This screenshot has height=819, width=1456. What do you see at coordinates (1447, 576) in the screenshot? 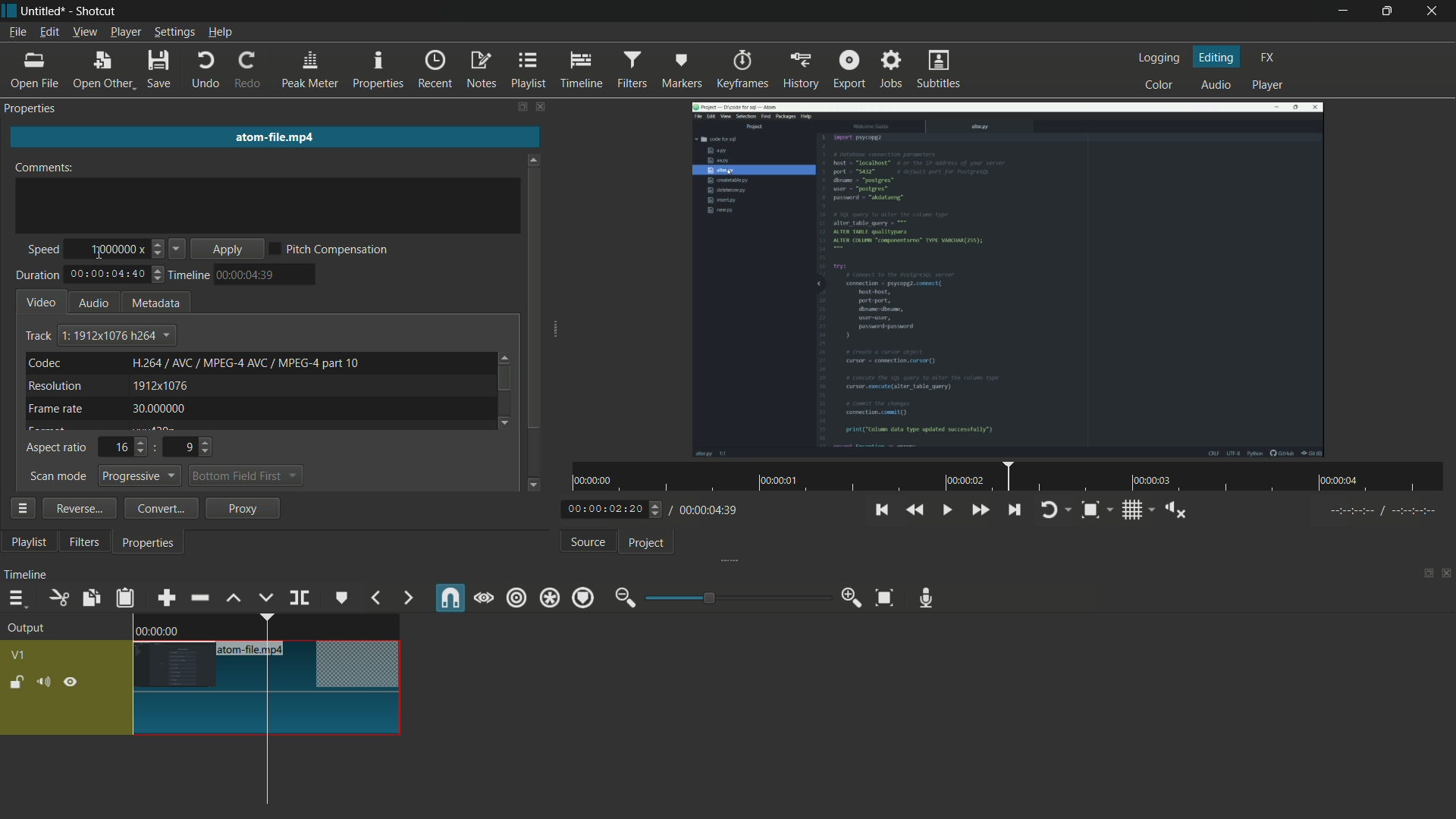
I see `close timeline` at bounding box center [1447, 576].